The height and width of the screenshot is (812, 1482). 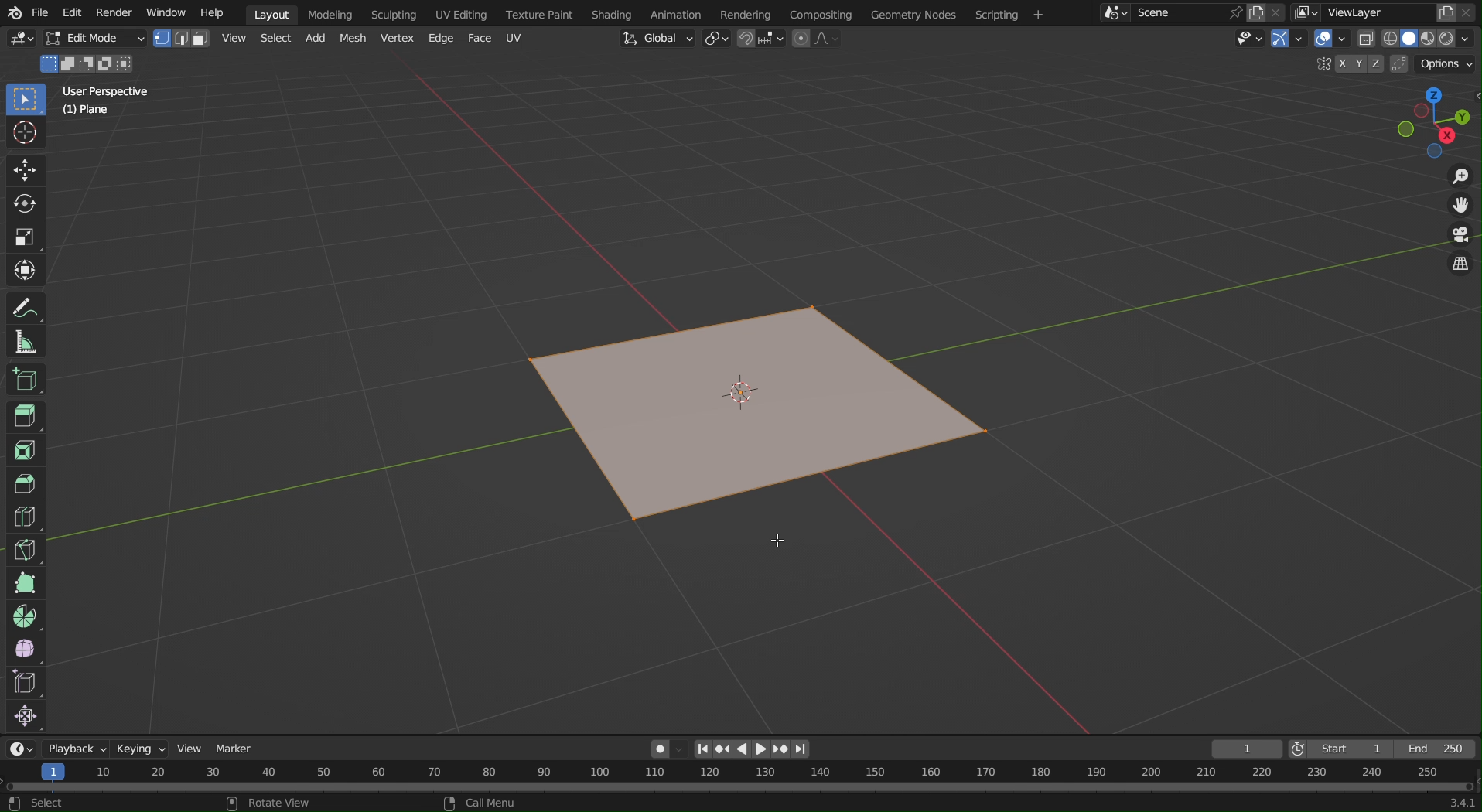 What do you see at coordinates (87, 64) in the screenshot?
I see `Mode` at bounding box center [87, 64].